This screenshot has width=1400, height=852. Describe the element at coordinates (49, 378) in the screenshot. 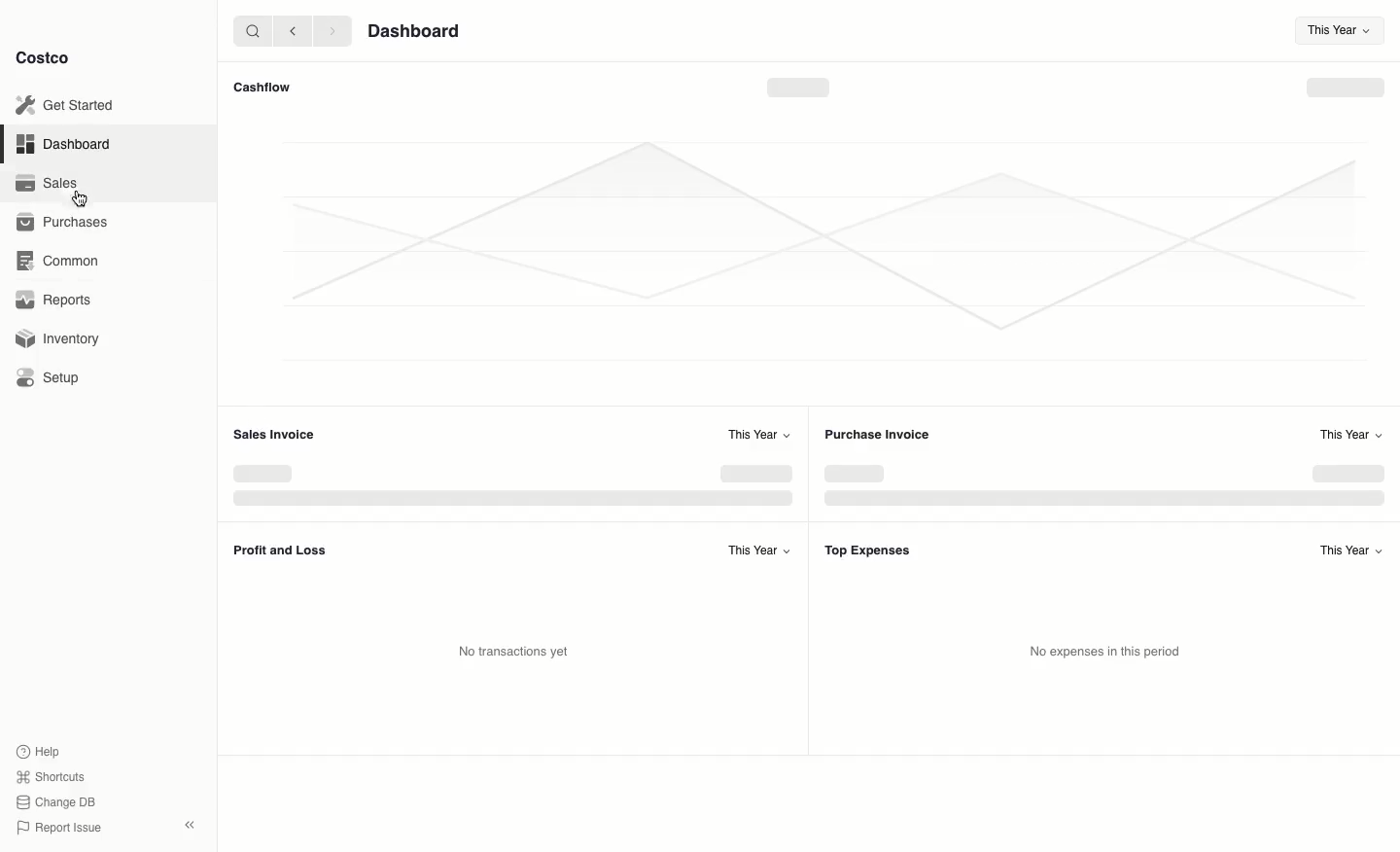

I see `Setup` at that location.